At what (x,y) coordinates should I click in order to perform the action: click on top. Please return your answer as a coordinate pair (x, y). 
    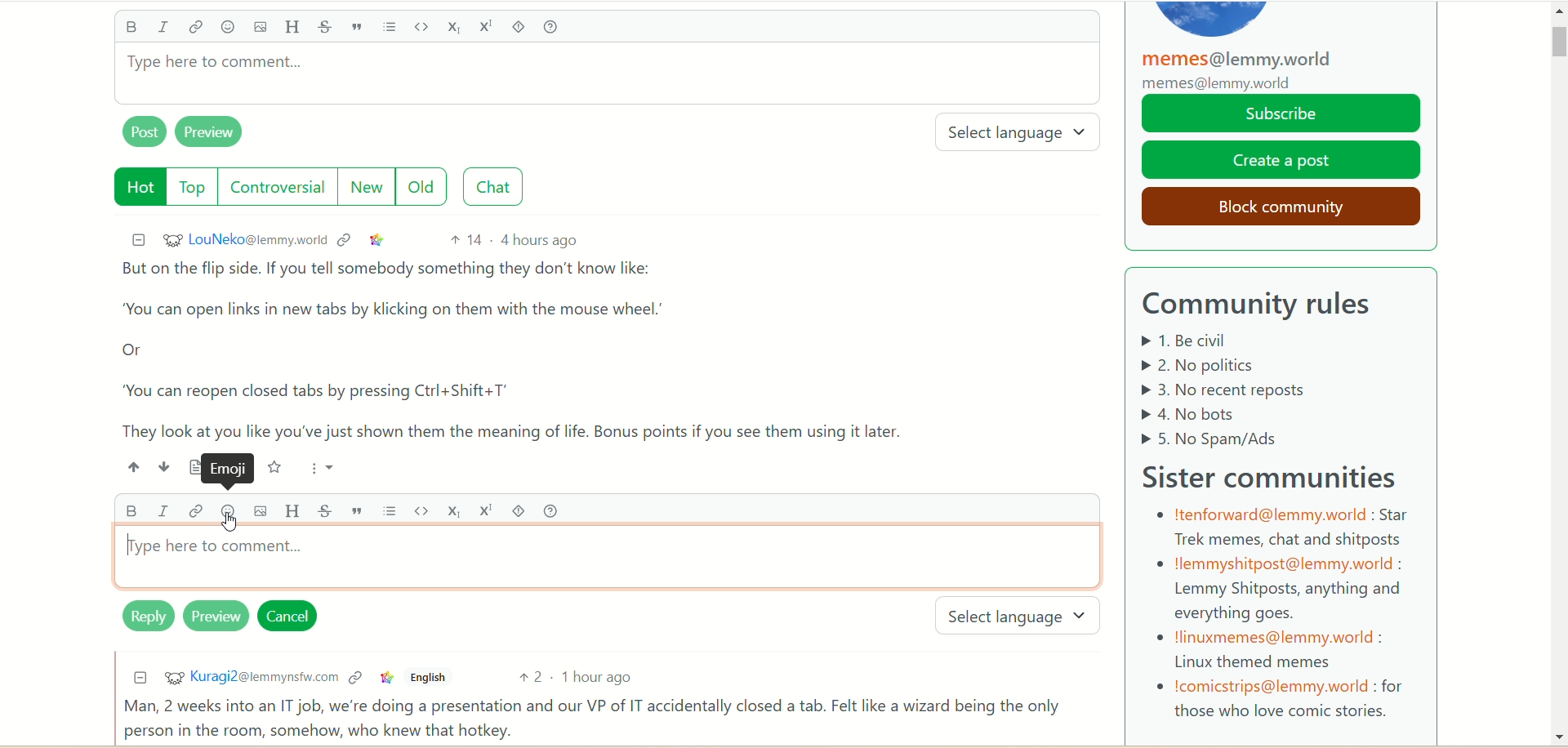
    Looking at the image, I should click on (193, 189).